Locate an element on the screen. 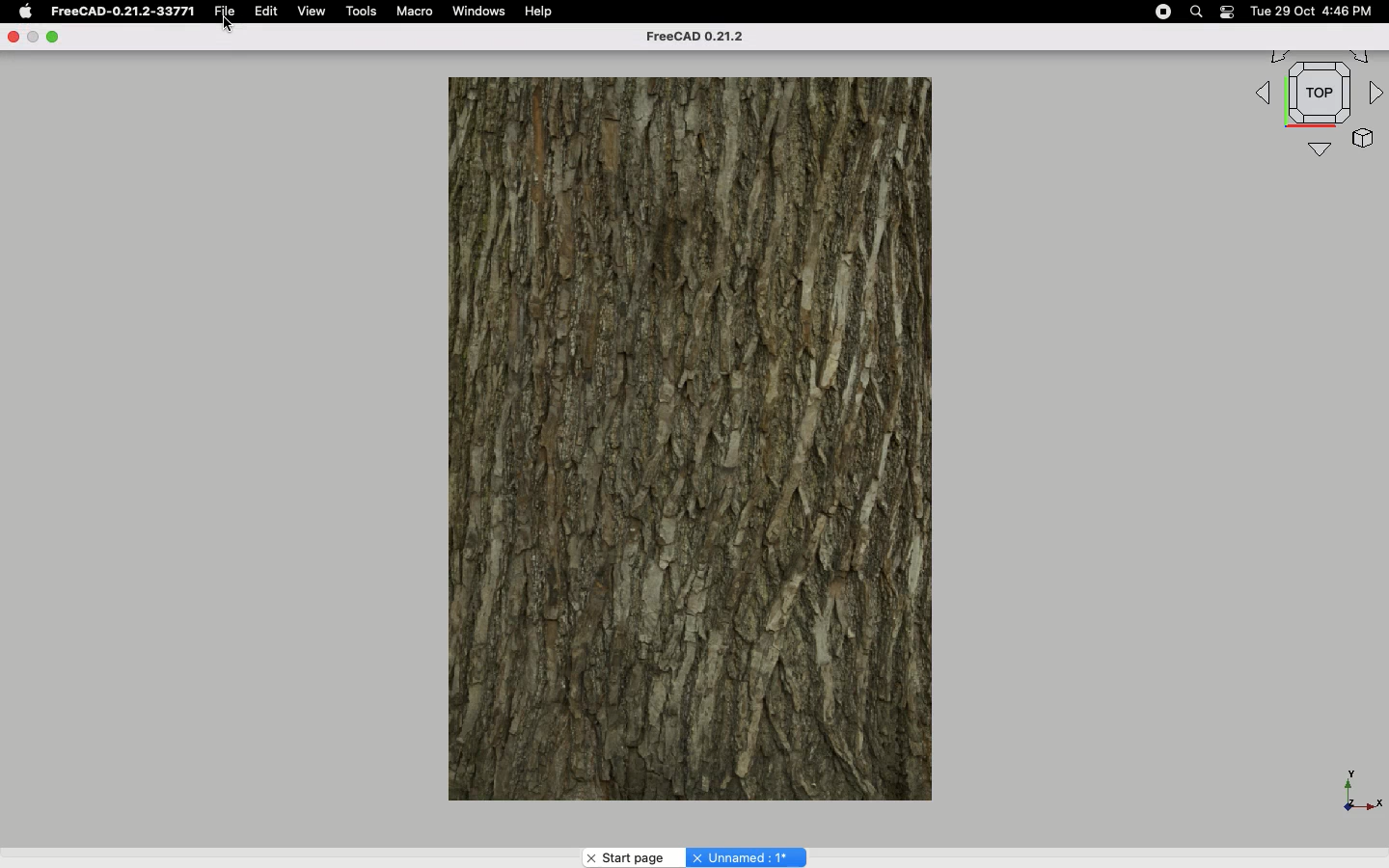  Axis is located at coordinates (1357, 786).